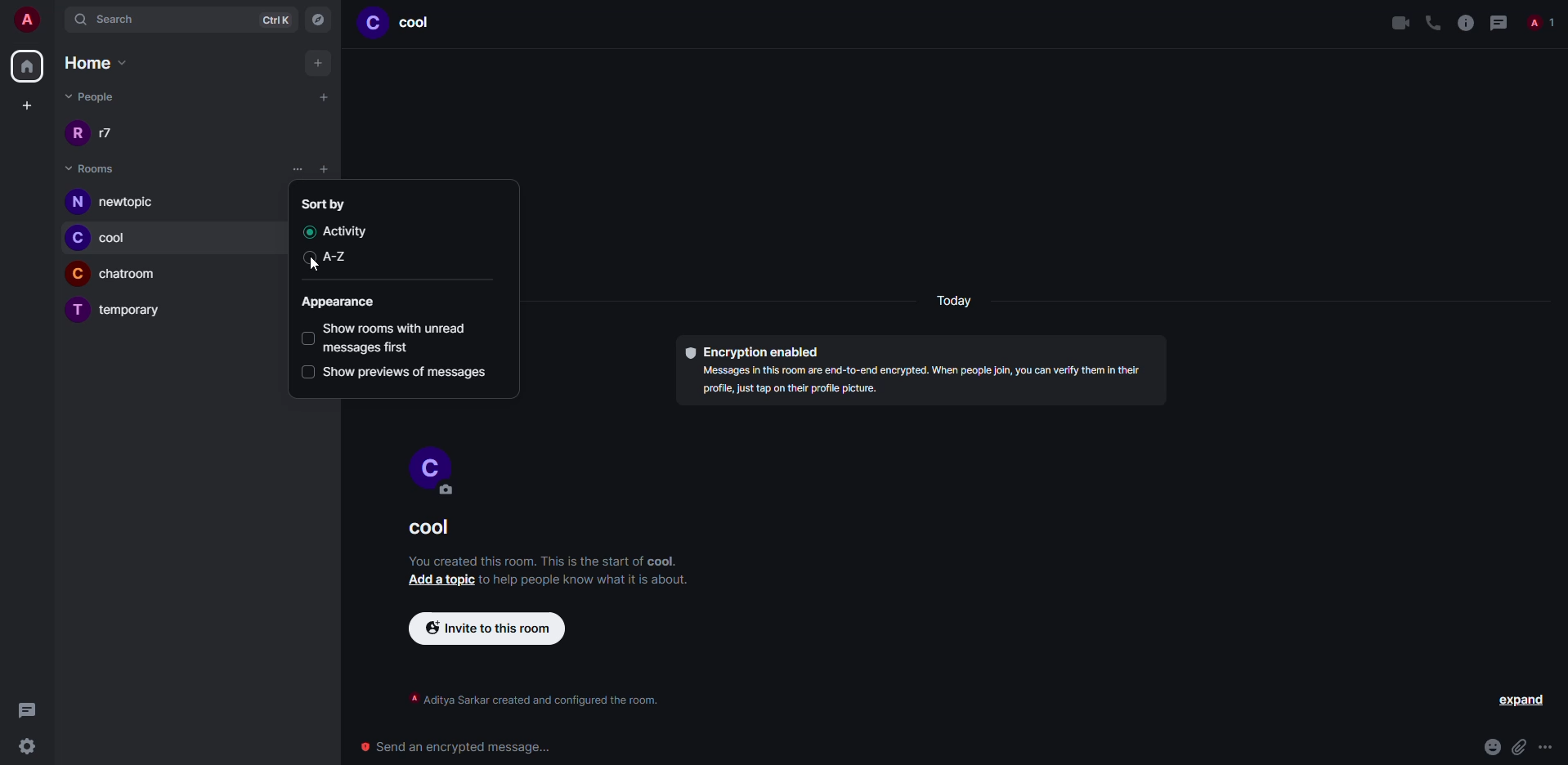 The width and height of the screenshot is (1568, 765). What do you see at coordinates (307, 338) in the screenshot?
I see `select` at bounding box center [307, 338].